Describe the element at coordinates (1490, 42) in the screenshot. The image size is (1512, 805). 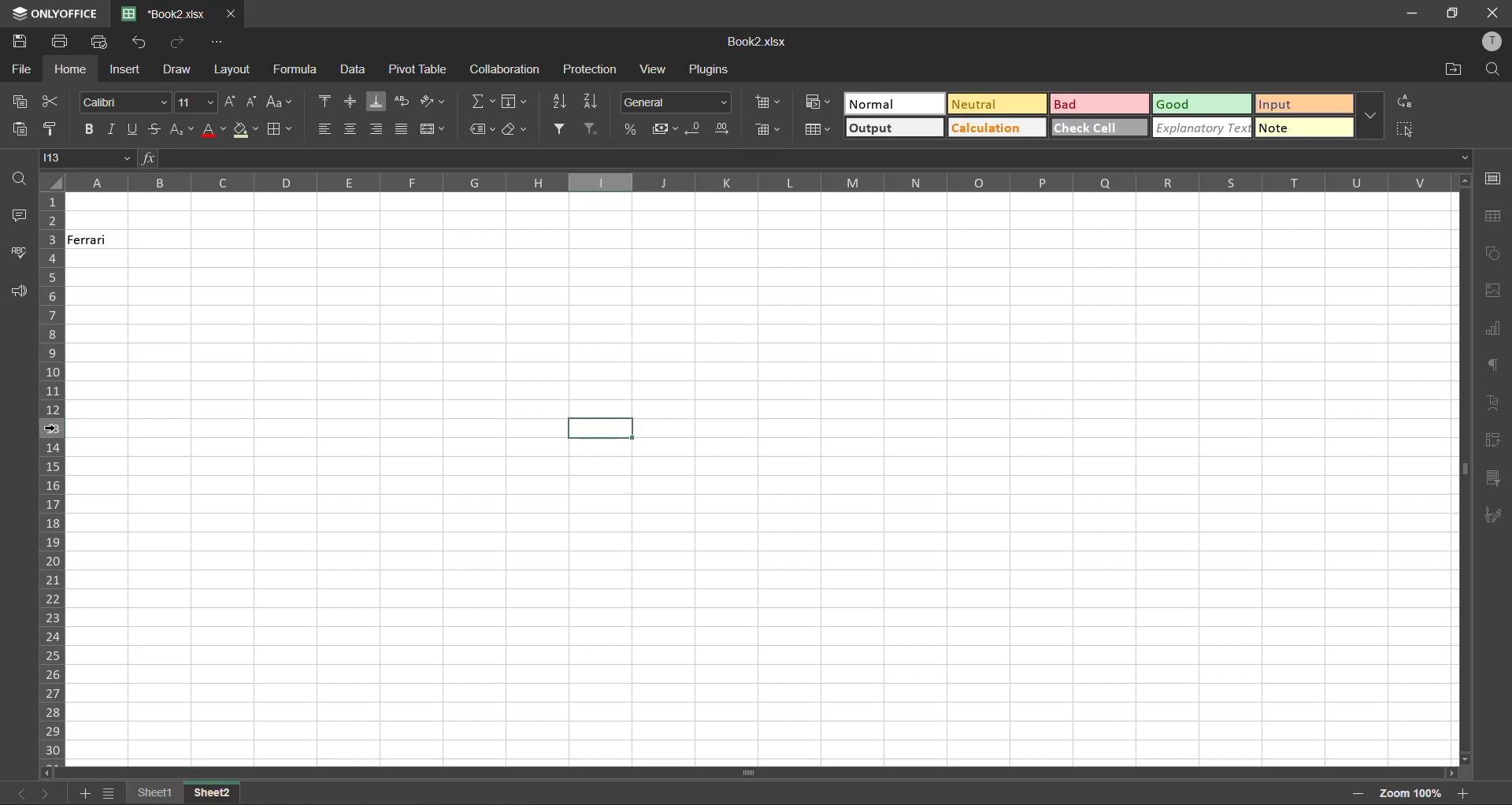
I see `profile` at that location.